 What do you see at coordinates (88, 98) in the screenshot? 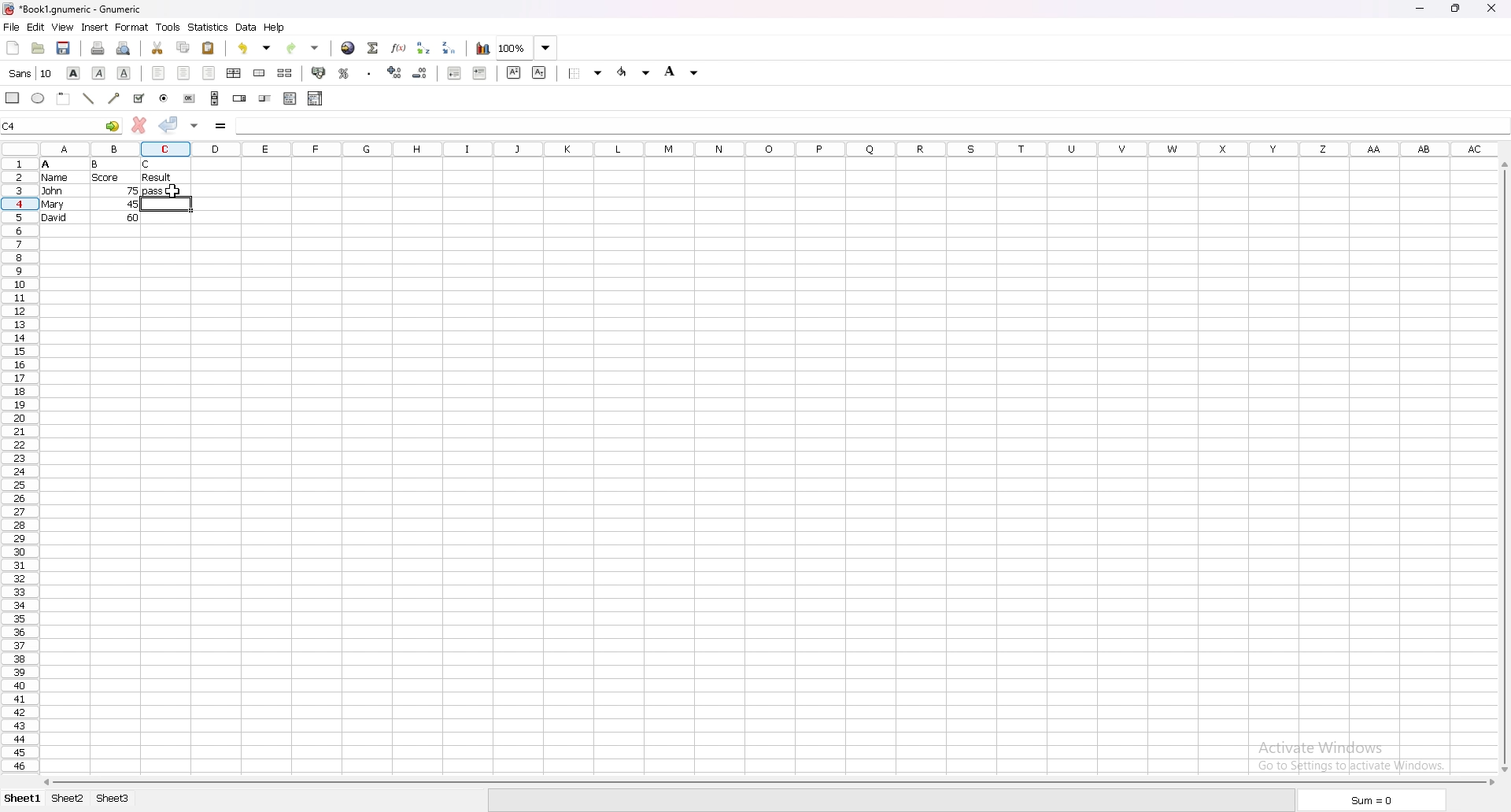
I see `line` at bounding box center [88, 98].